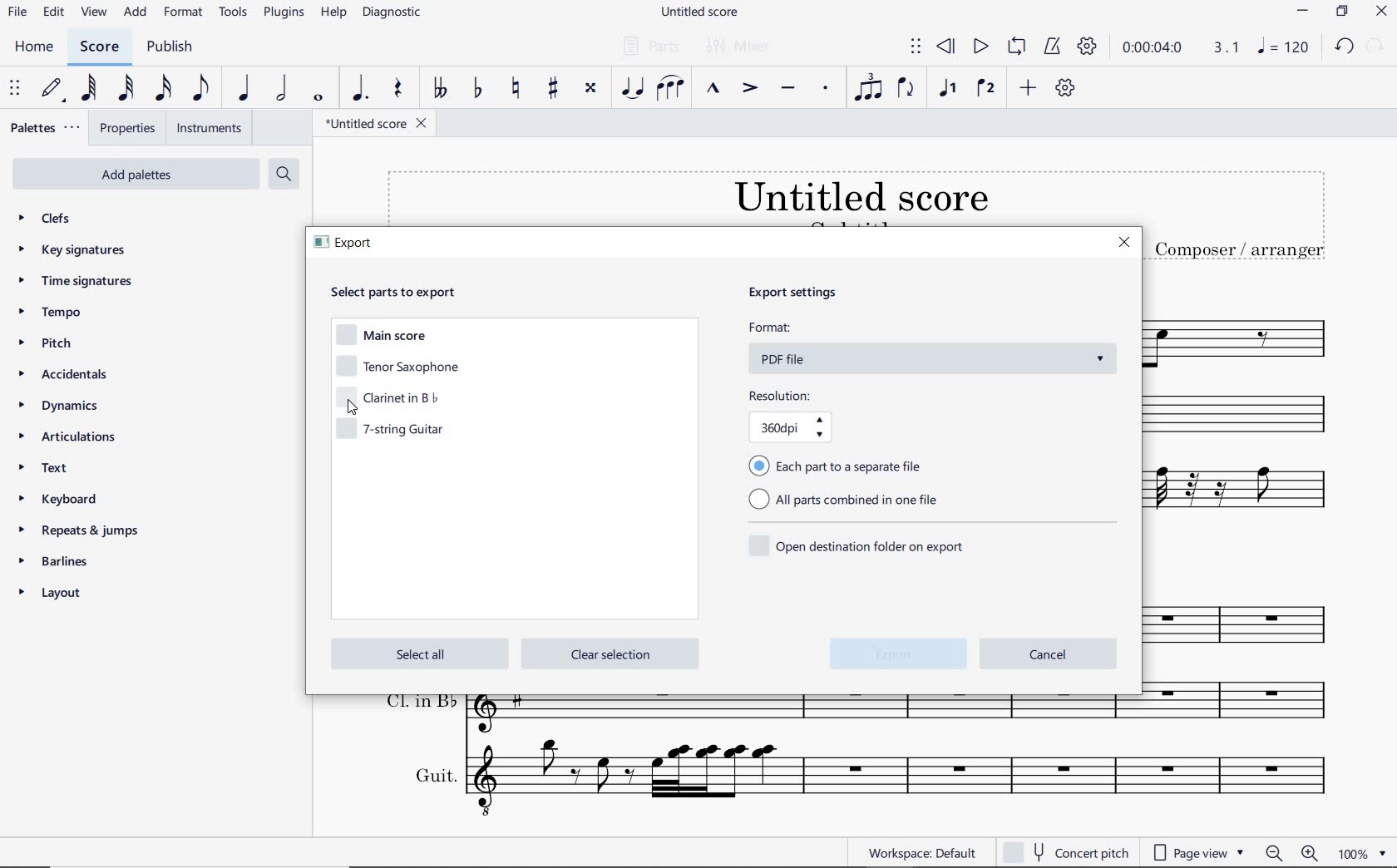  I want to click on SLUR, so click(669, 86).